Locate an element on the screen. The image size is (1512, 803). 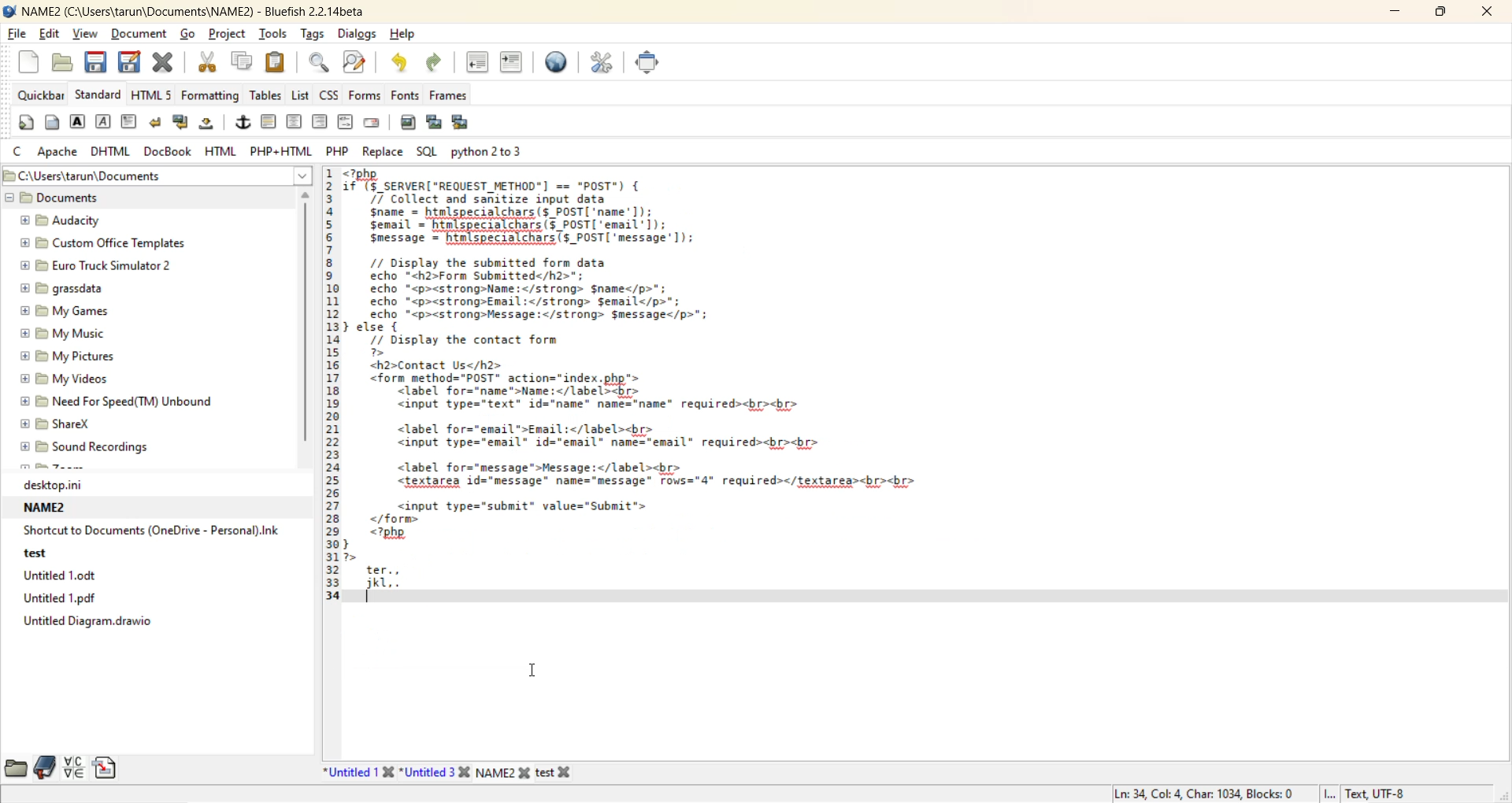
quickbar is located at coordinates (42, 95).